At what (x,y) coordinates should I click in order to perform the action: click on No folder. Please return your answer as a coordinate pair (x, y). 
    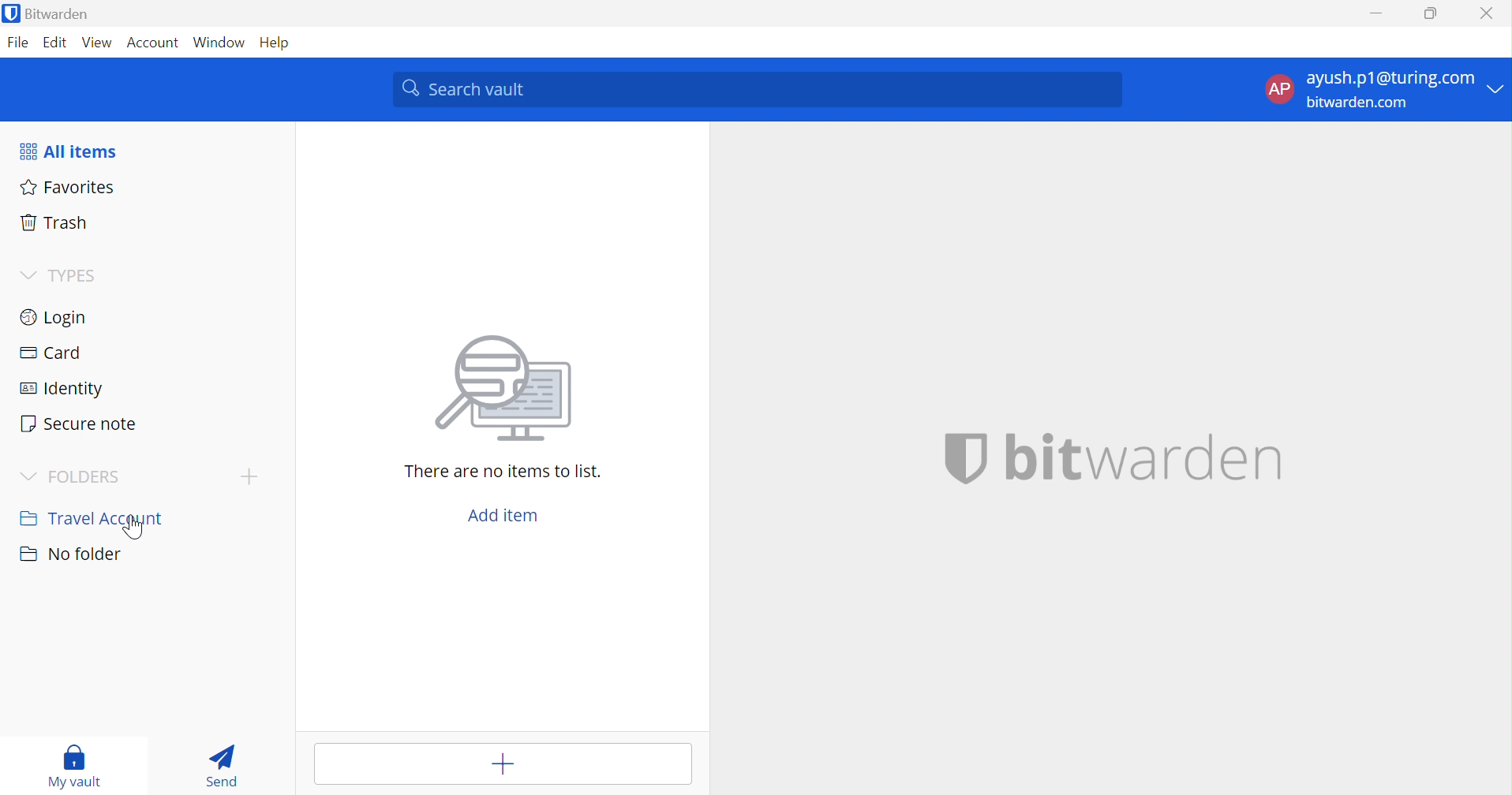
    Looking at the image, I should click on (70, 558).